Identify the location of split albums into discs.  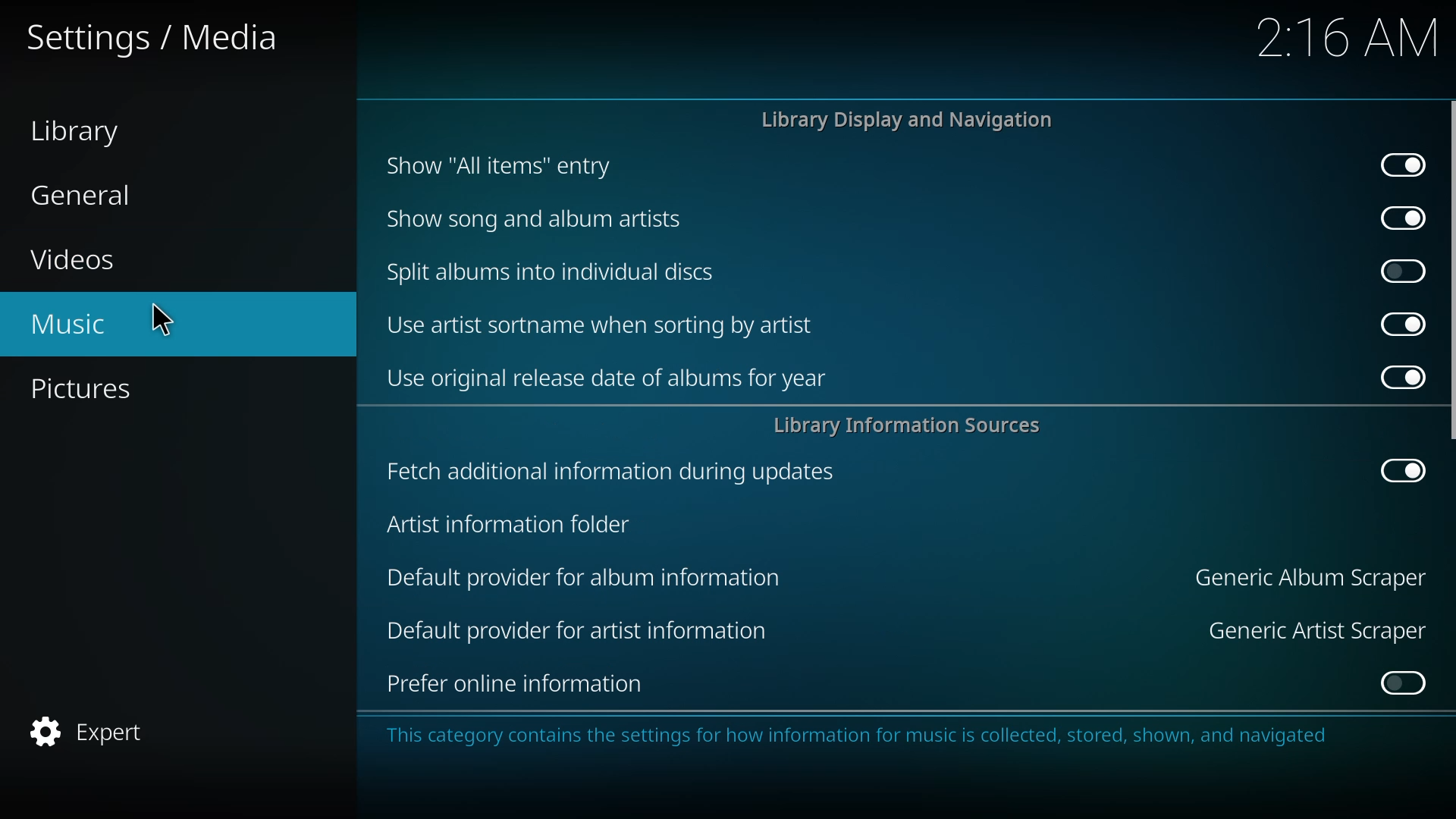
(554, 271).